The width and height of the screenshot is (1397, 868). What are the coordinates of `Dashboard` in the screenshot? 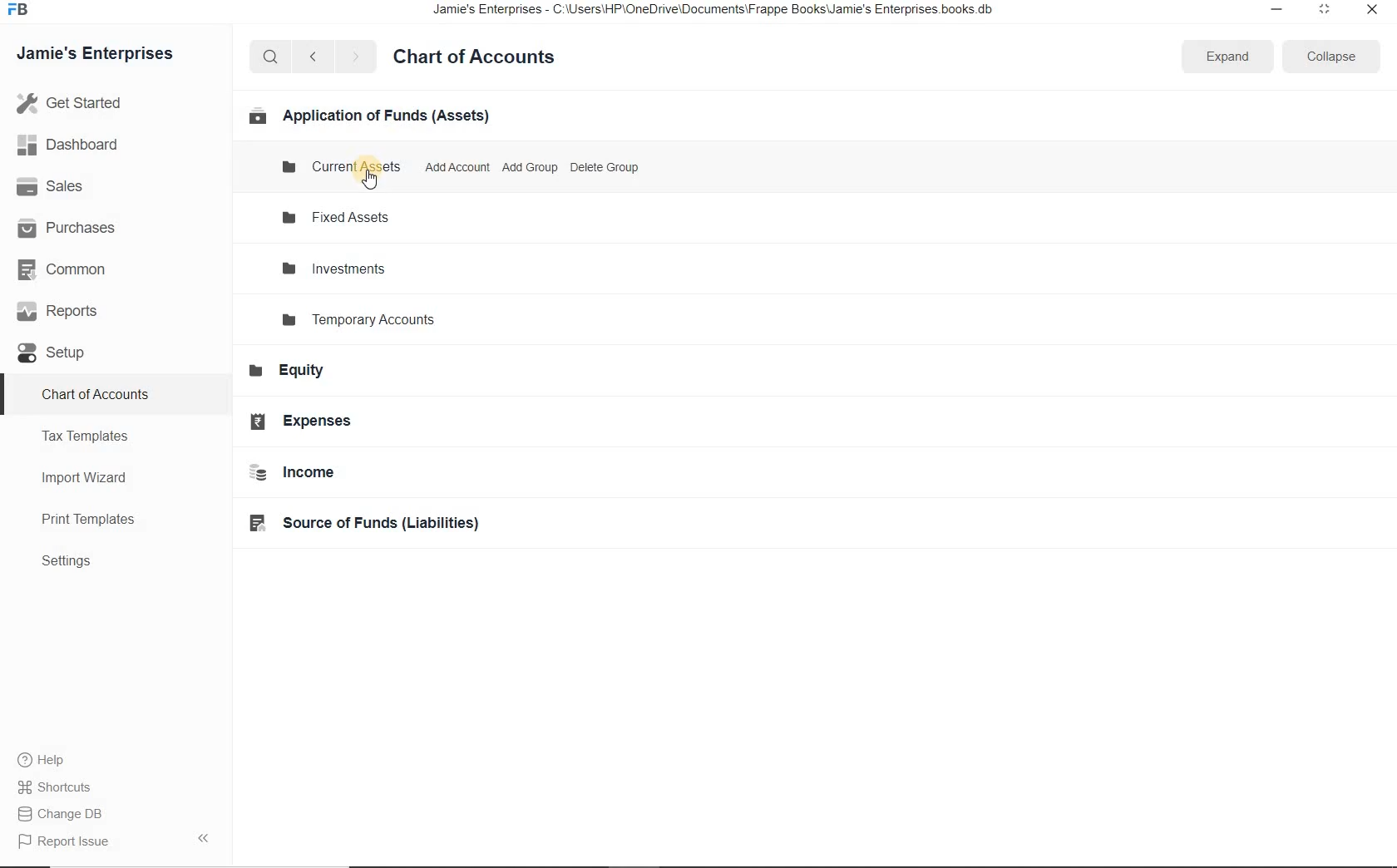 It's located at (86, 146).